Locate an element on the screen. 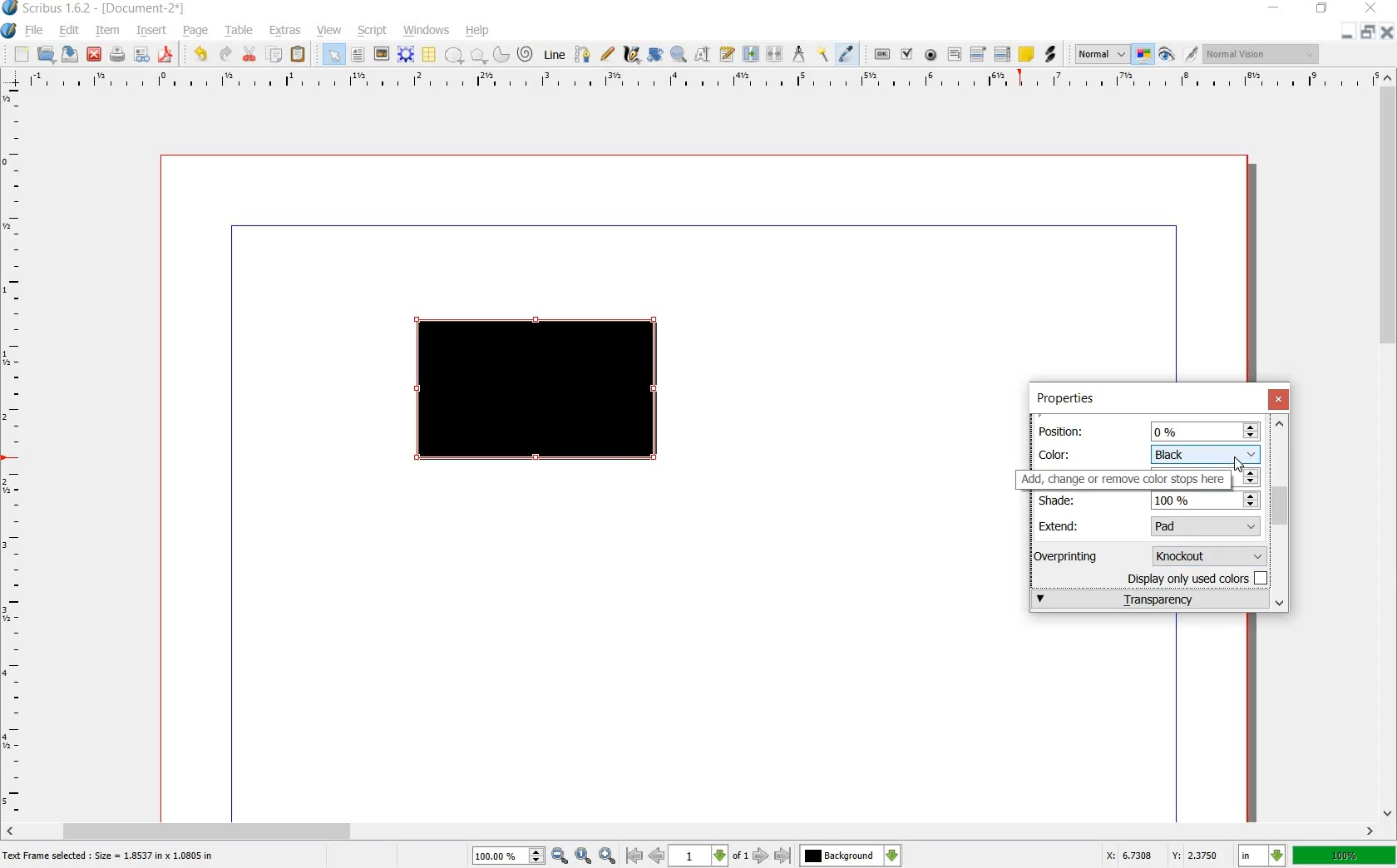  edit in preview mode is located at coordinates (1192, 55).